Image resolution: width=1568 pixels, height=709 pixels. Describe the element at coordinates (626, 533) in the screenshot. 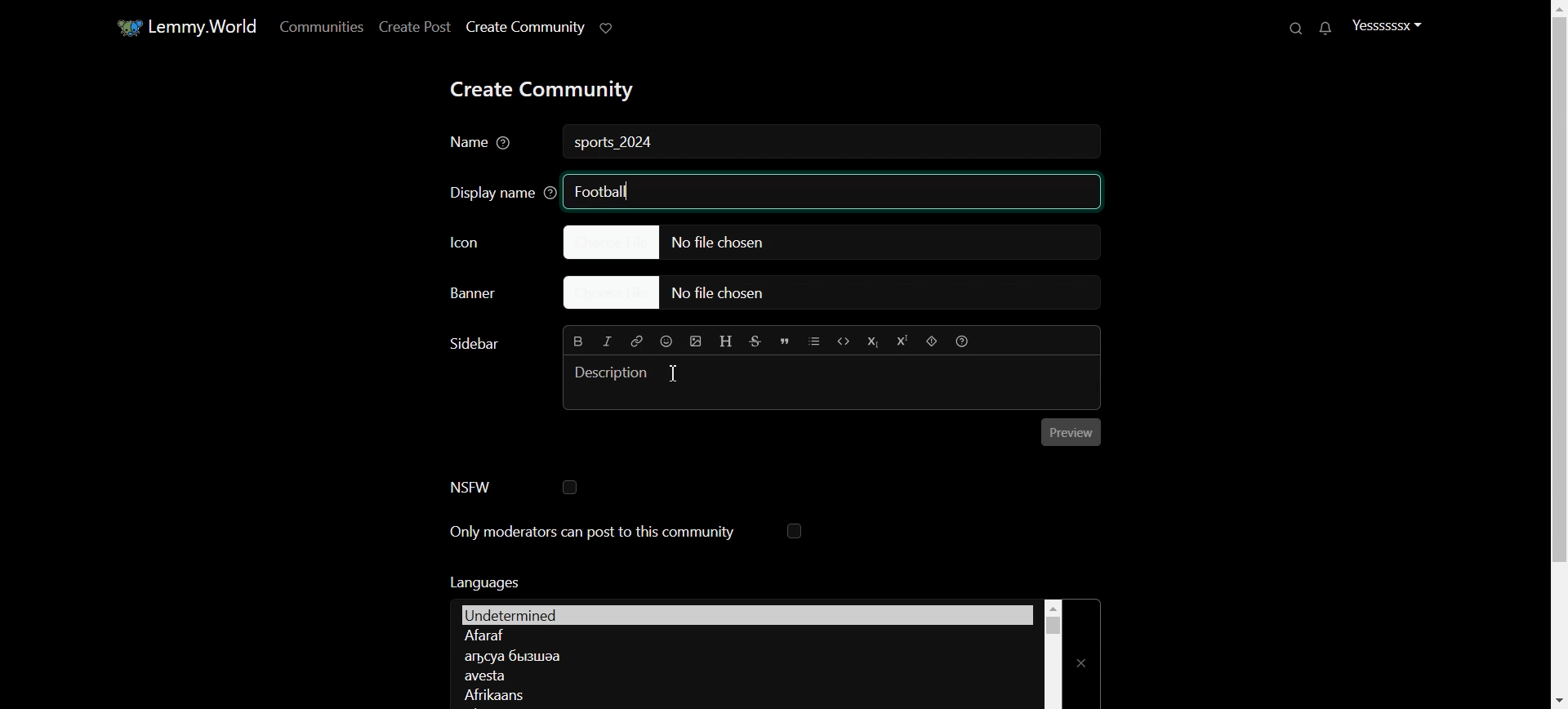

I see `Only moderators can post to this community` at that location.